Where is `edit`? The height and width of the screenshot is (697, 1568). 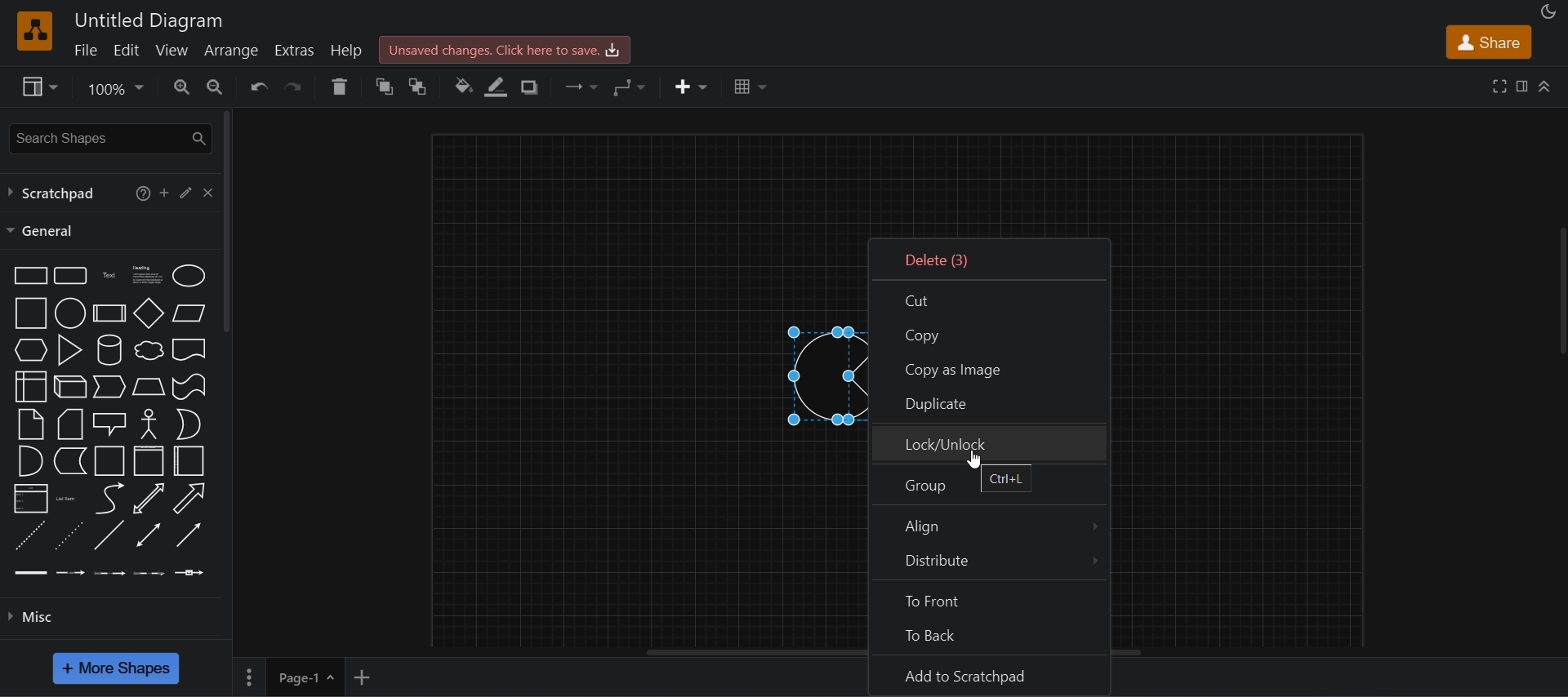 edit is located at coordinates (185, 191).